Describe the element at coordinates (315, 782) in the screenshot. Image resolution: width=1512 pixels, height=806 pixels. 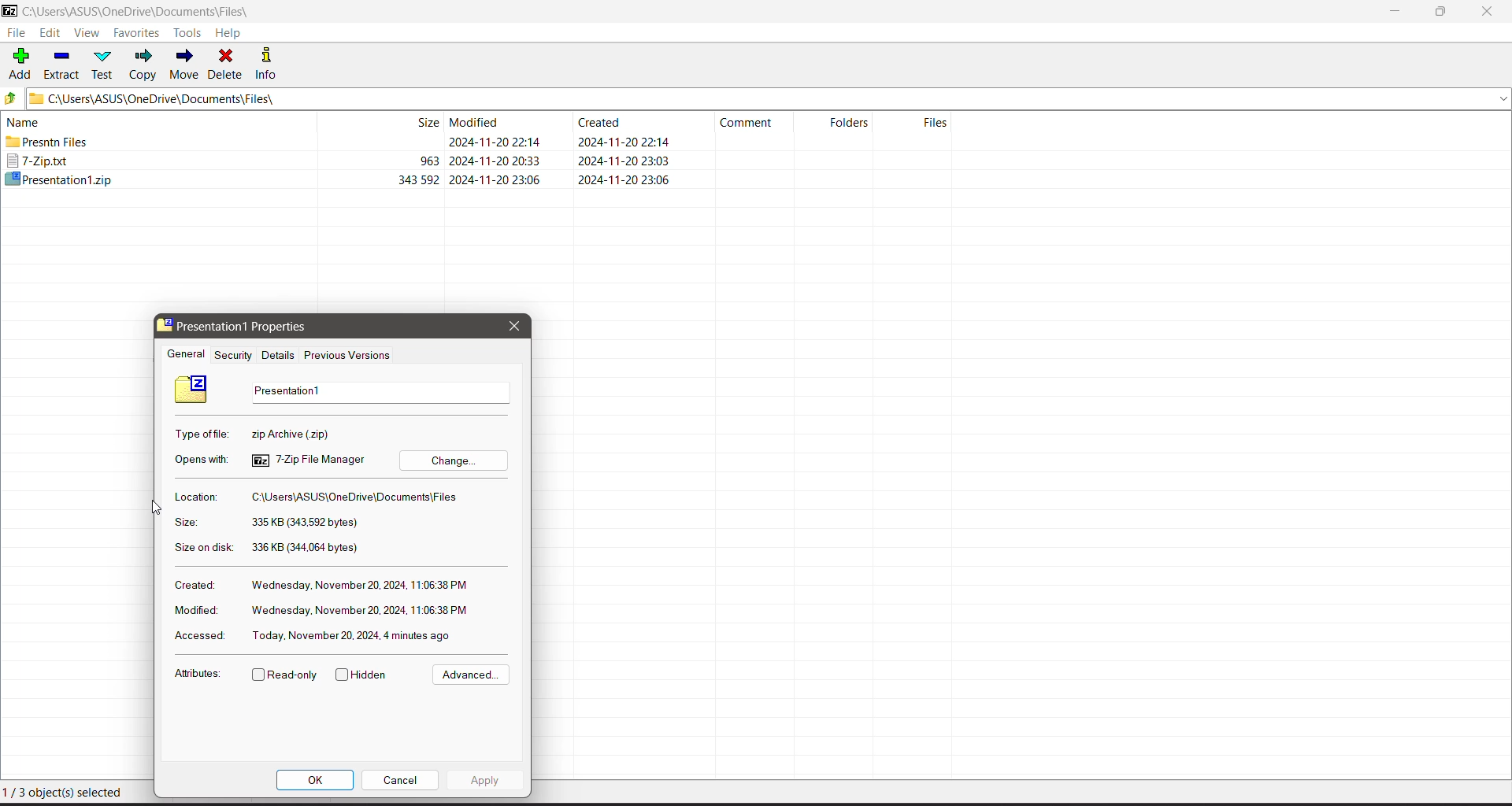
I see `OK` at that location.